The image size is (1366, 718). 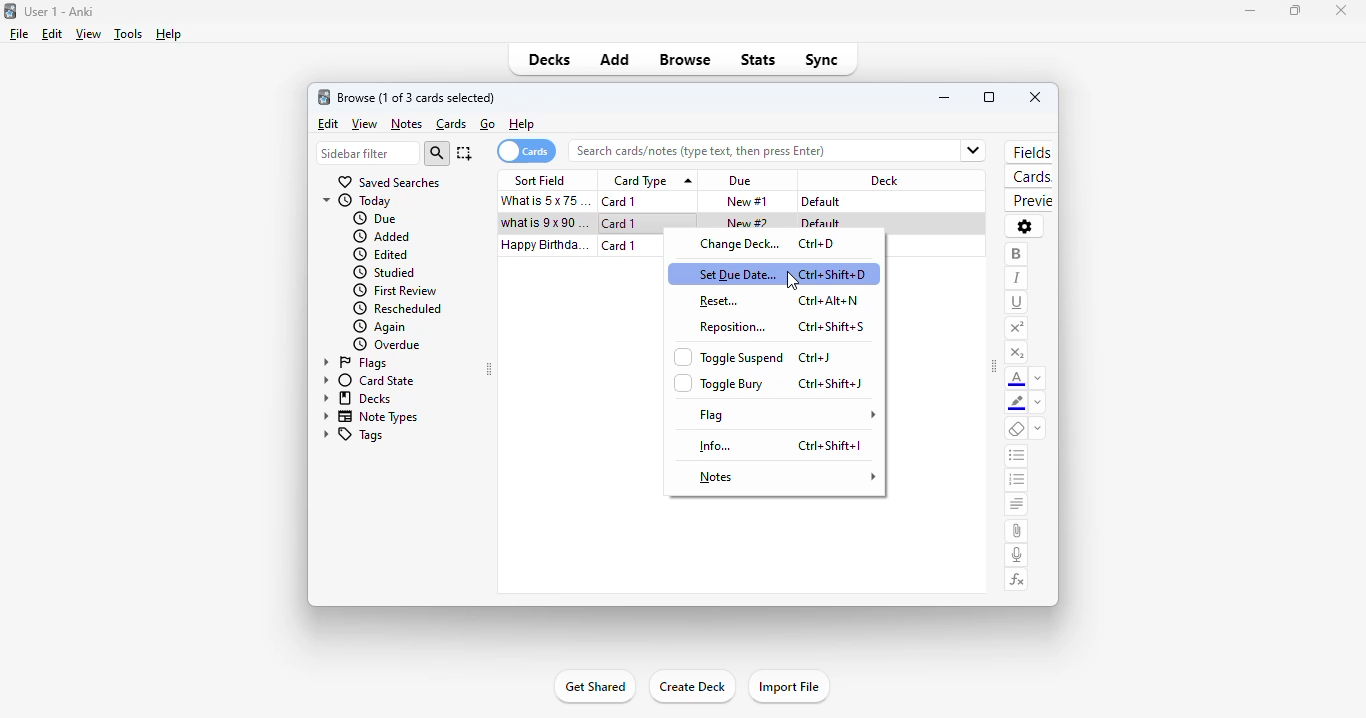 What do you see at coordinates (368, 417) in the screenshot?
I see `note types` at bounding box center [368, 417].